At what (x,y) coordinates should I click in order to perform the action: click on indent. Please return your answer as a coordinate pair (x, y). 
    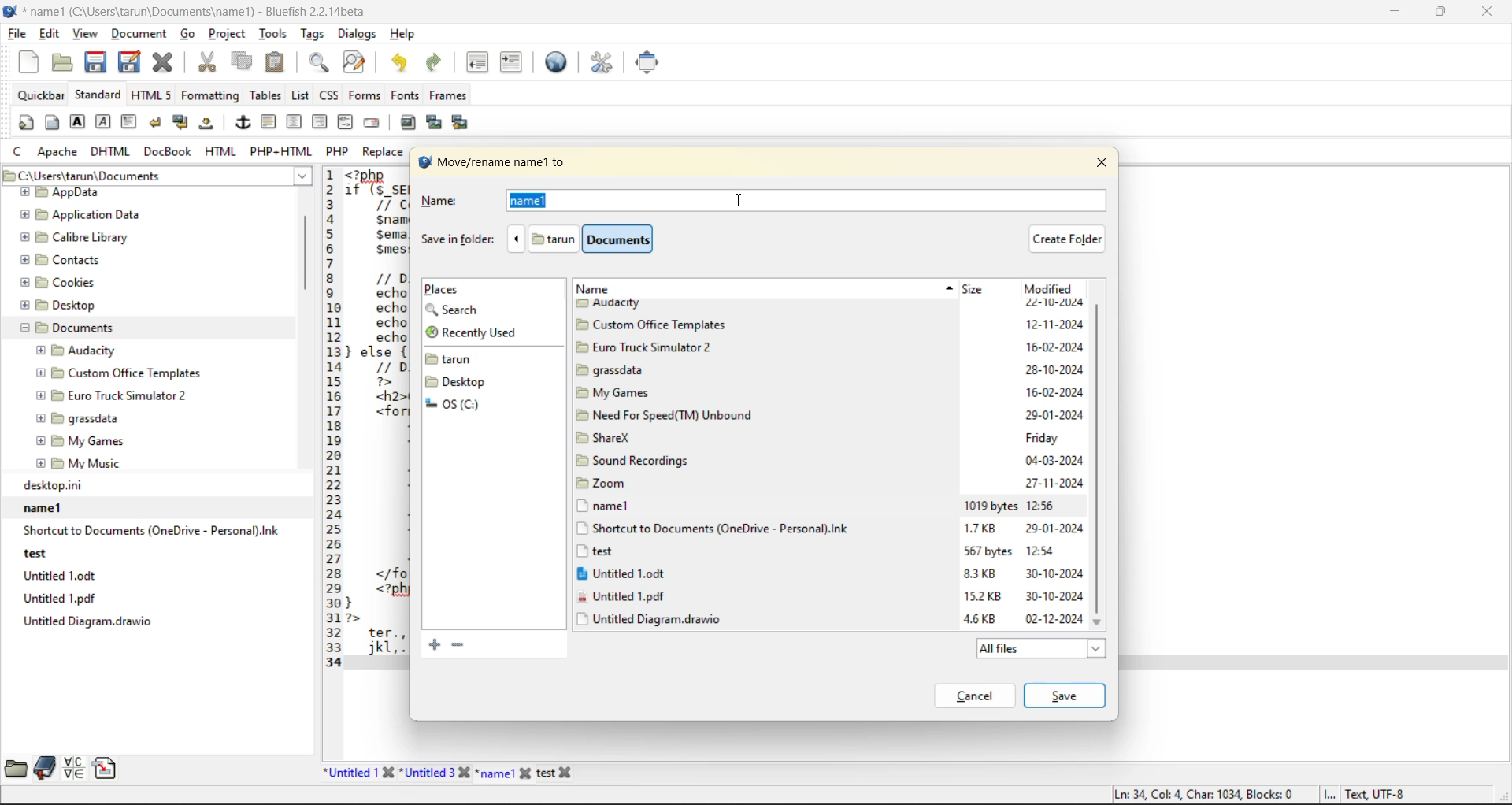
    Looking at the image, I should click on (513, 65).